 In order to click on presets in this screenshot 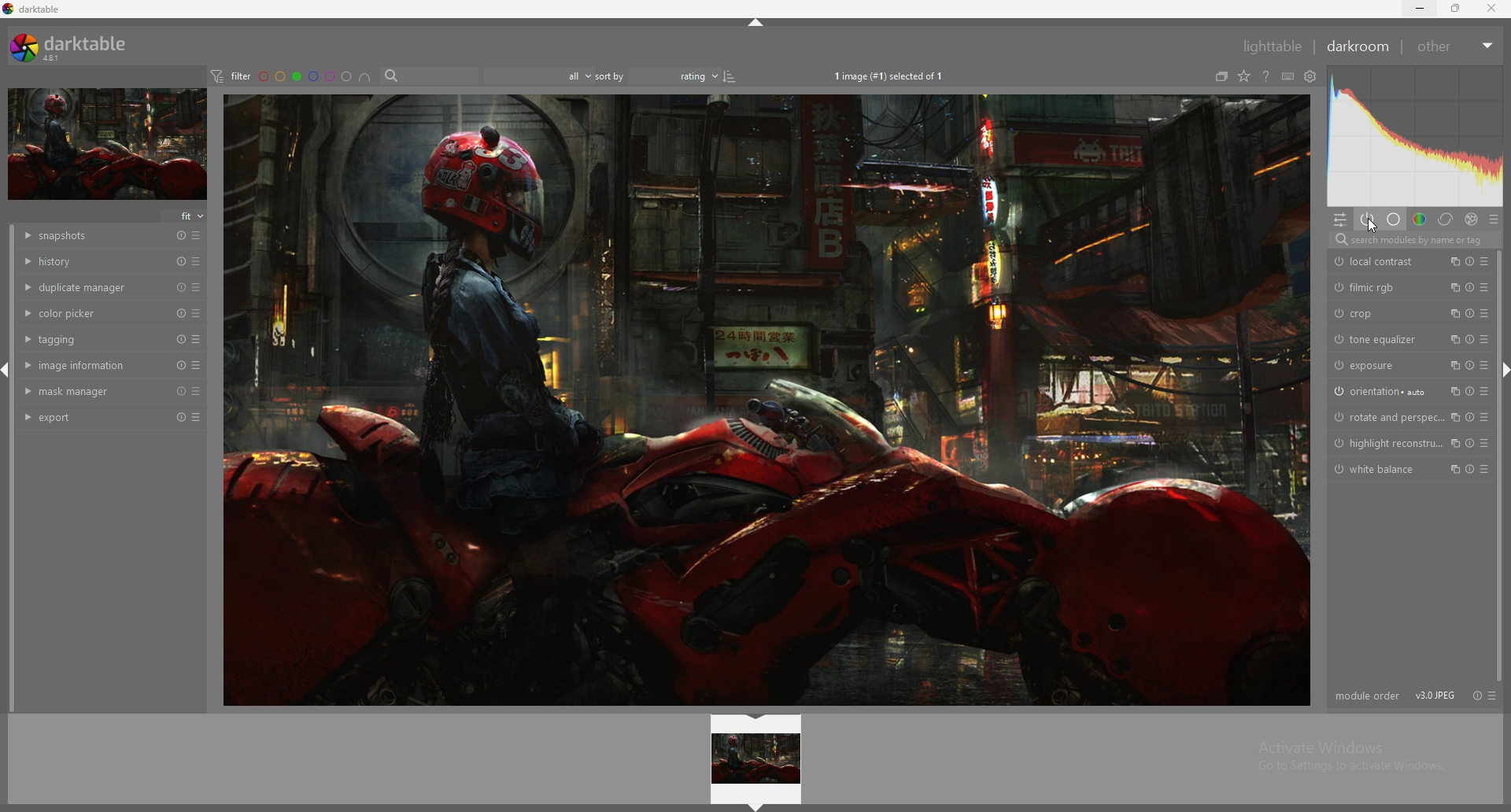, I will do `click(1484, 313)`.